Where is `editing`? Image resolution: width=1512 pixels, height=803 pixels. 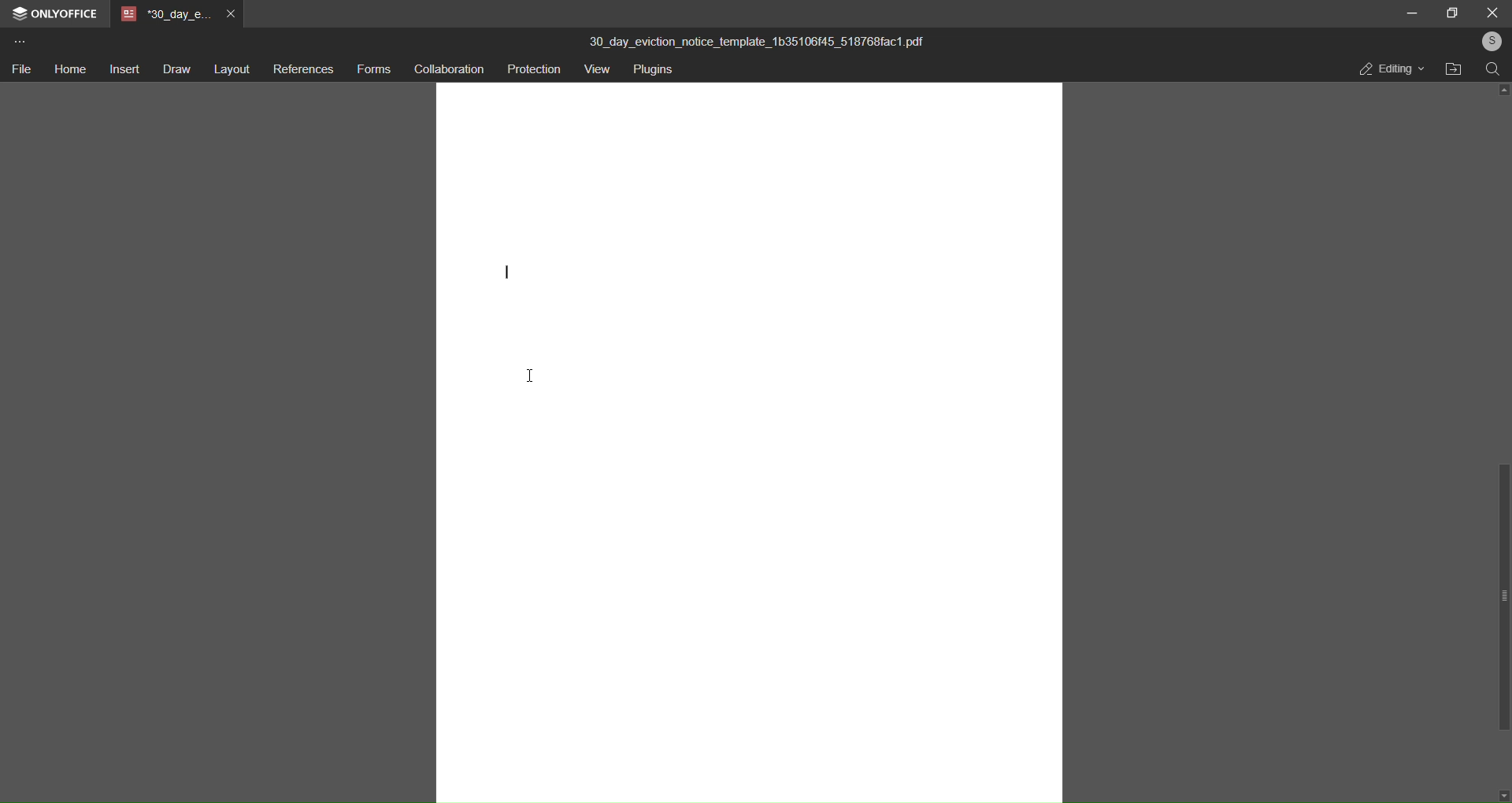
editing is located at coordinates (1389, 70).